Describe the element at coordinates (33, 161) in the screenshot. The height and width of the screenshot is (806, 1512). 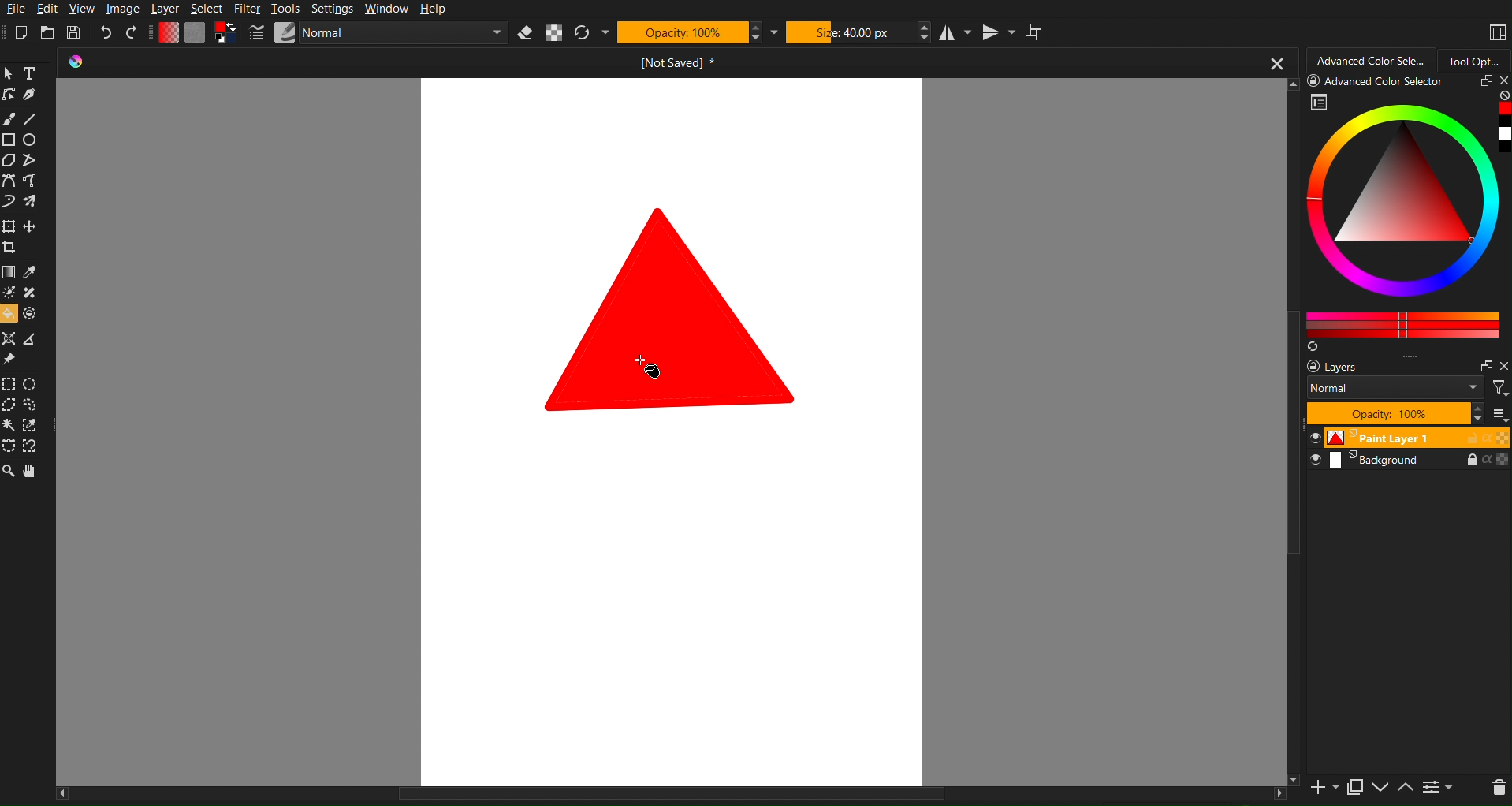
I see `polyline tool` at that location.